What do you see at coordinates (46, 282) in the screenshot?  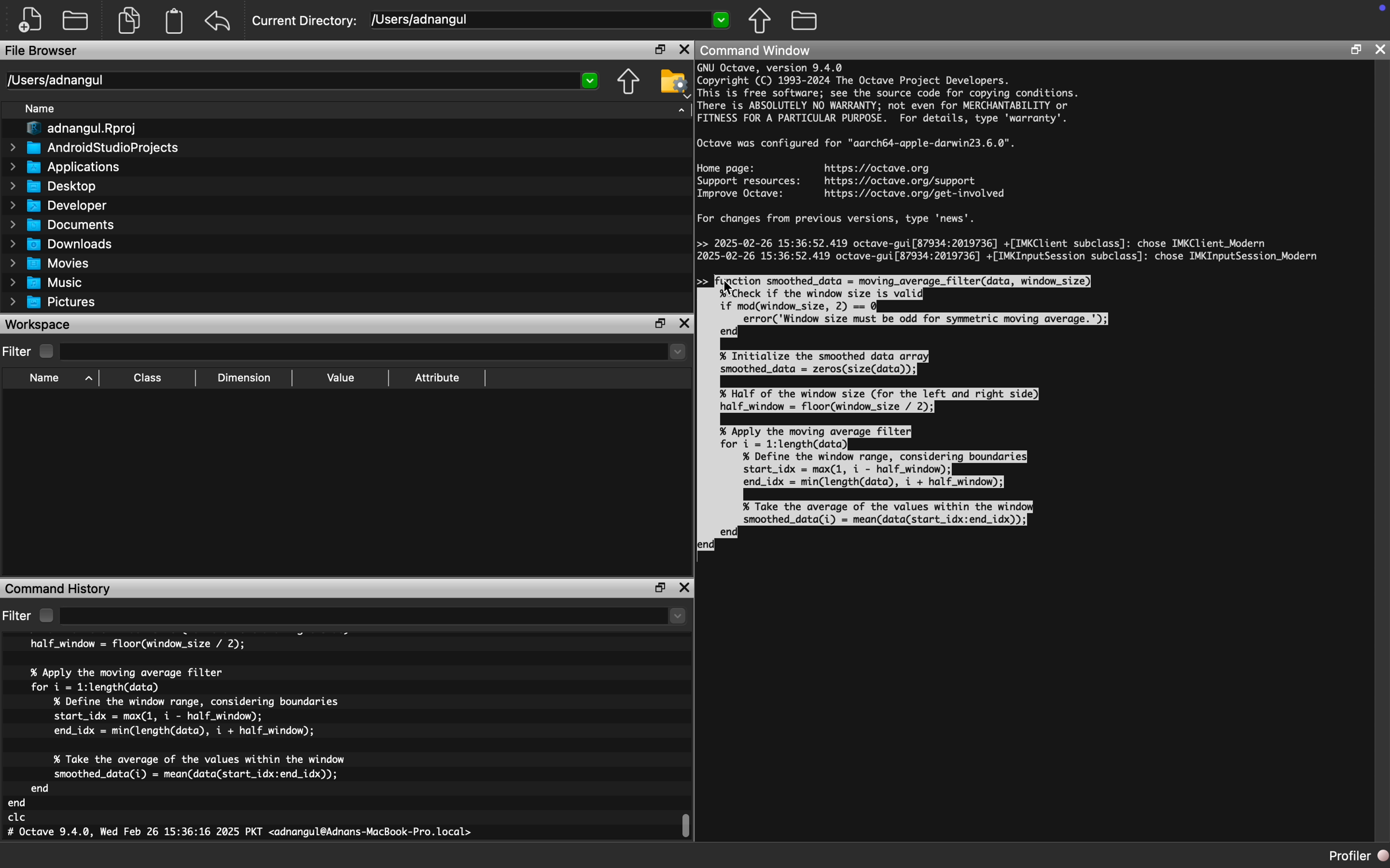 I see `Music` at bounding box center [46, 282].